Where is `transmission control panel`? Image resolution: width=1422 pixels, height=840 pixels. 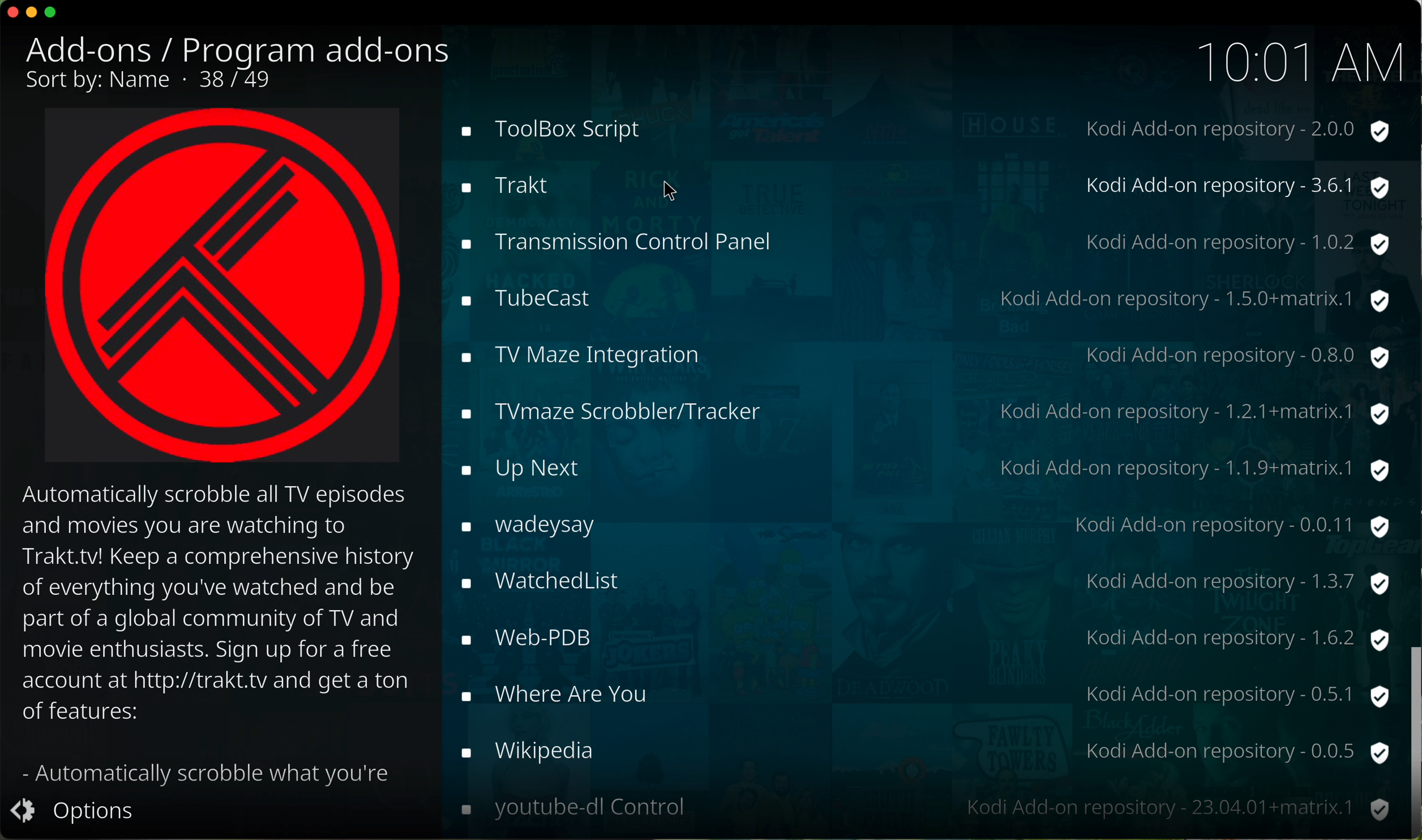
transmission control panel is located at coordinates (920, 240).